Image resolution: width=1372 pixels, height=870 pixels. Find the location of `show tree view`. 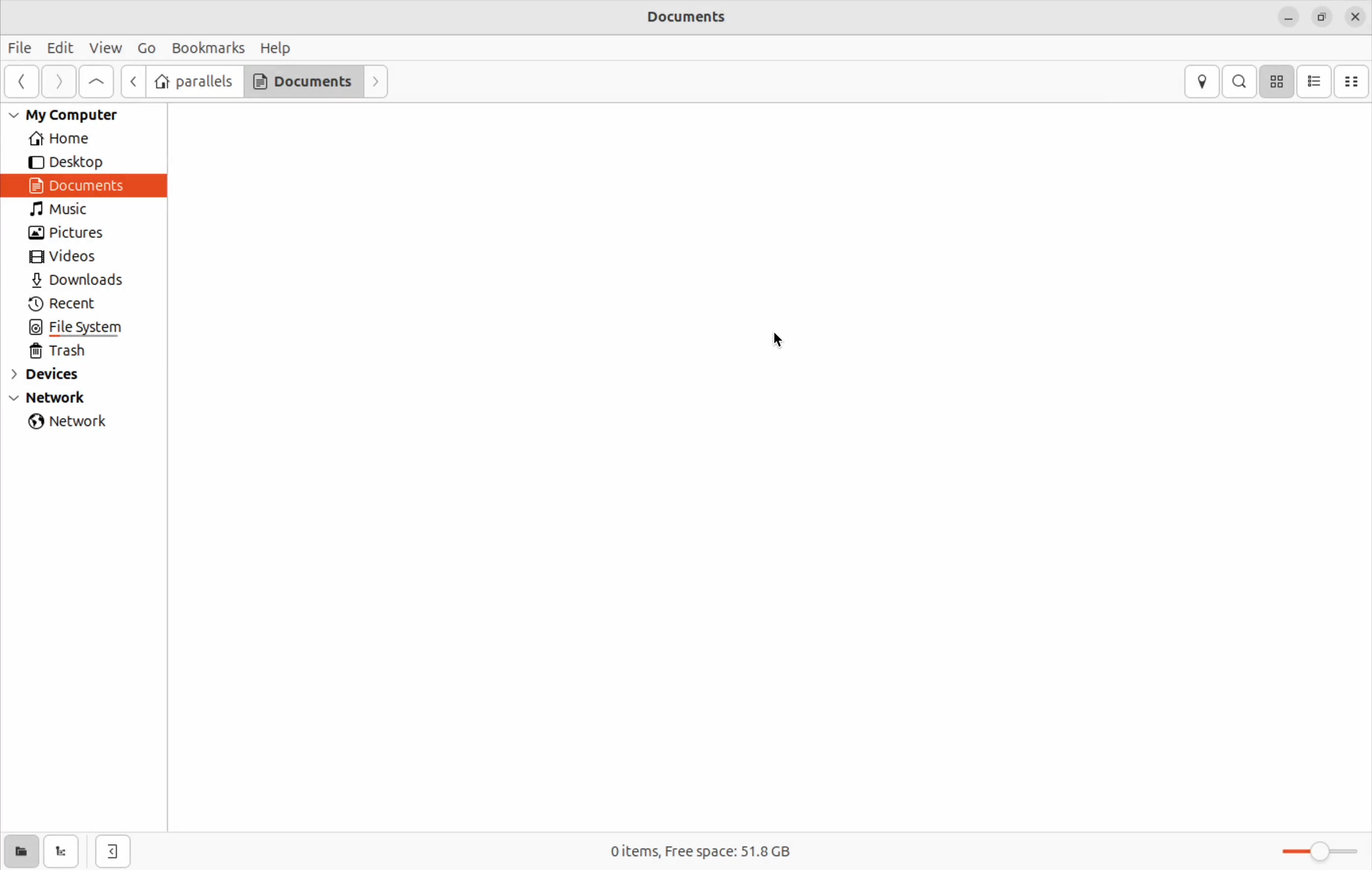

show tree view is located at coordinates (60, 851).